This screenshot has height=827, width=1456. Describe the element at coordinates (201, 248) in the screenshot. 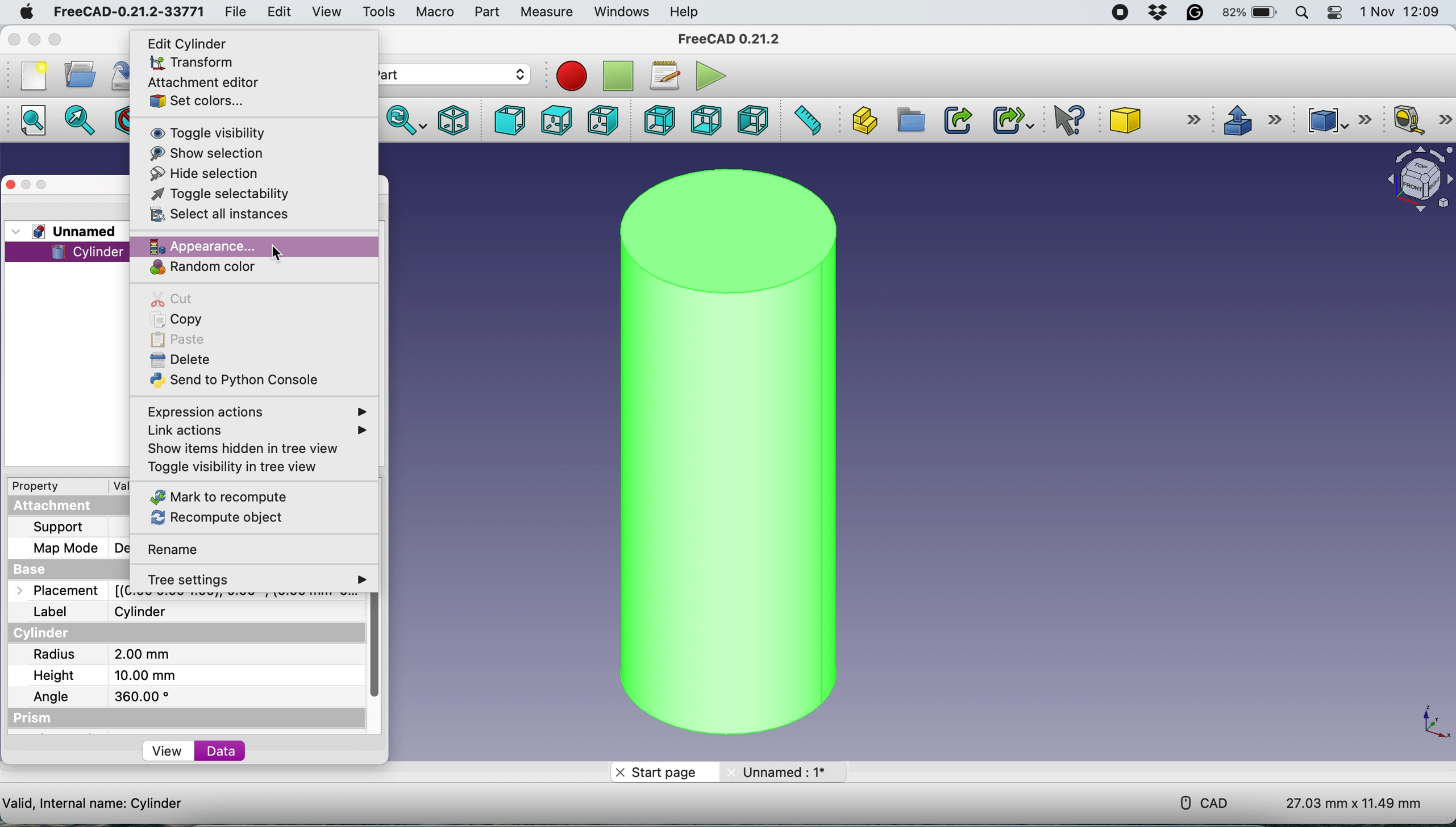

I see `appearance` at that location.